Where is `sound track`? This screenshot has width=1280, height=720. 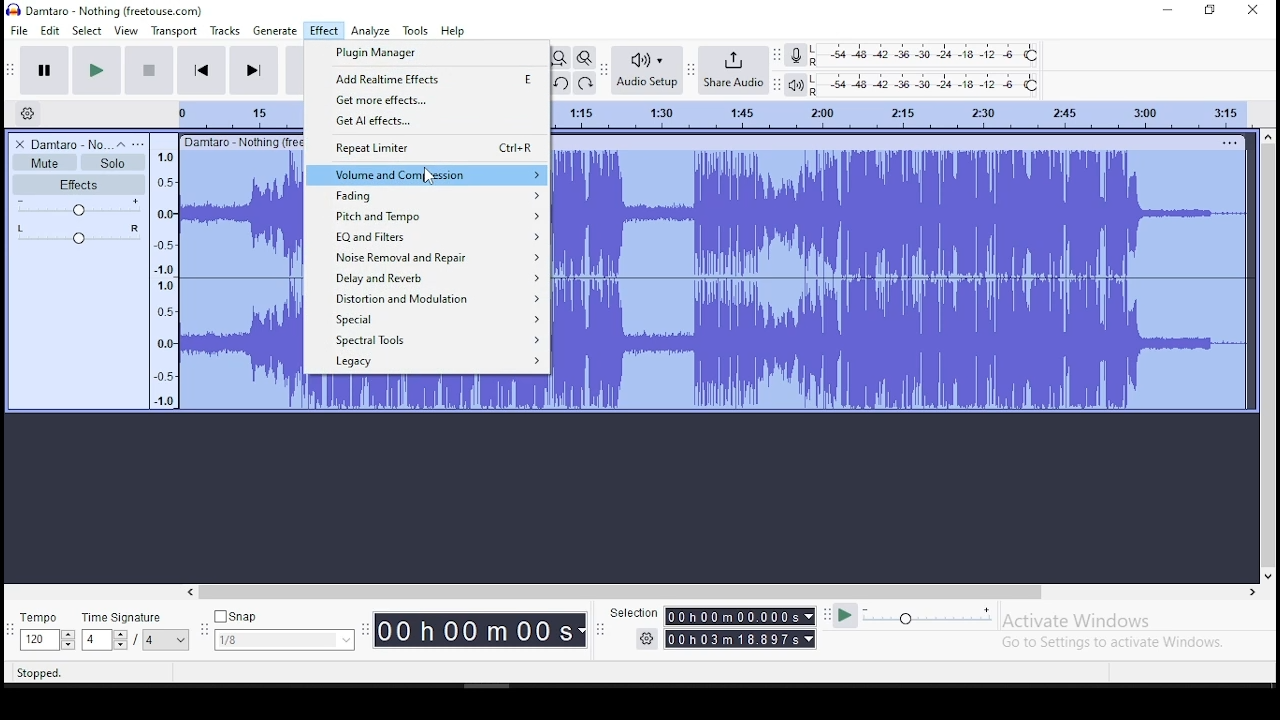
sound track is located at coordinates (899, 279).